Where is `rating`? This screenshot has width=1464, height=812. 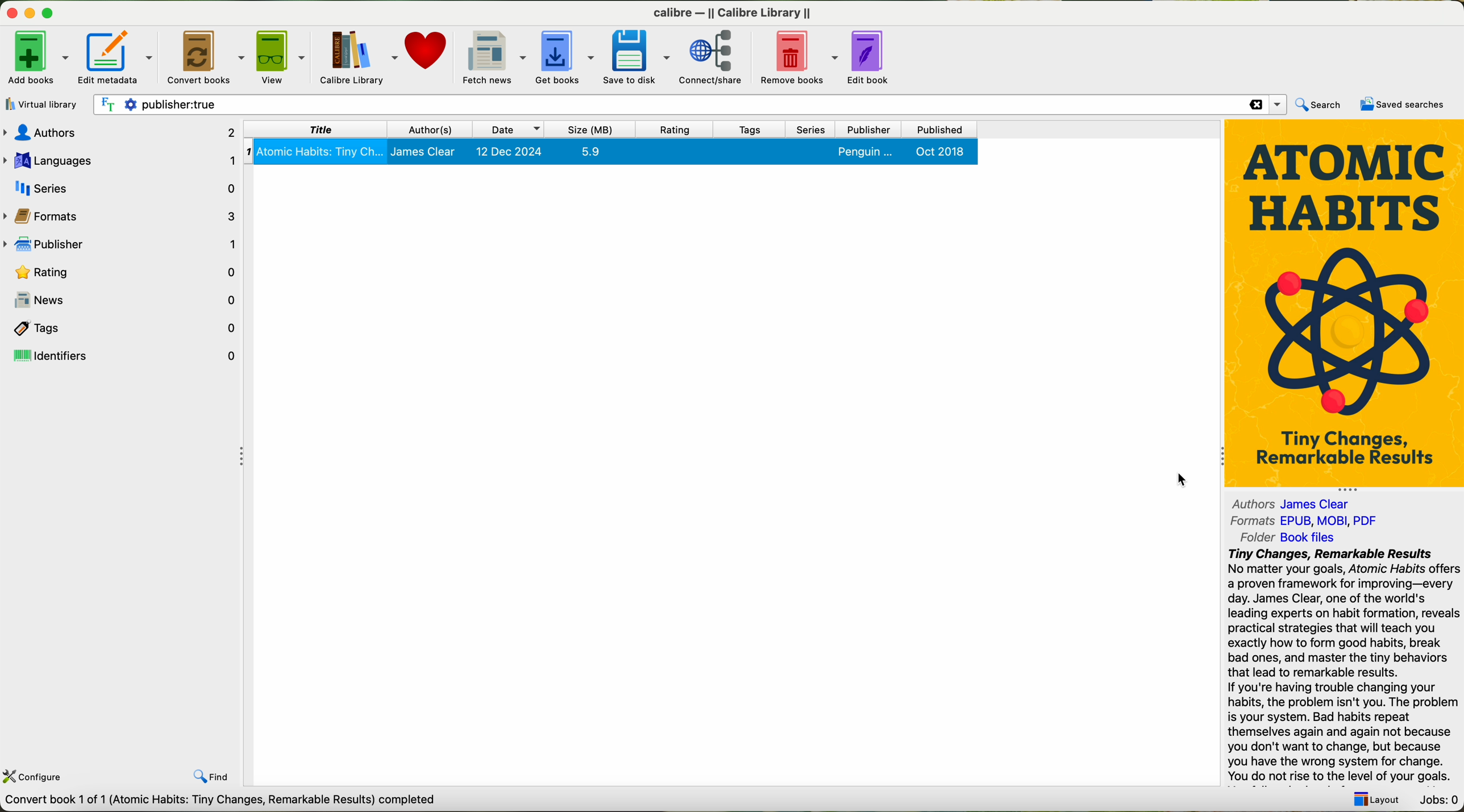
rating is located at coordinates (125, 271).